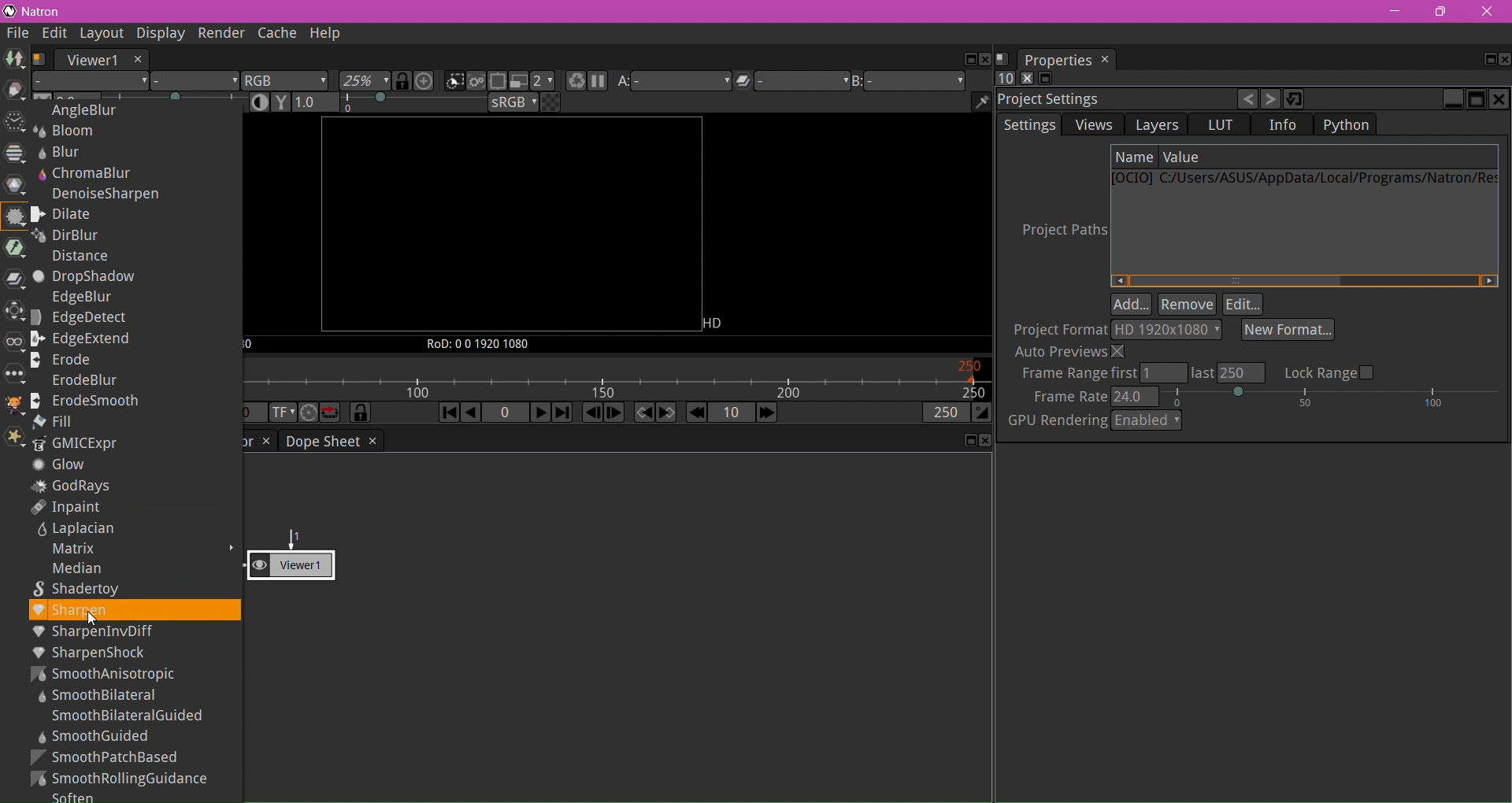 This screenshot has width=1512, height=803. What do you see at coordinates (1220, 124) in the screenshot?
I see `LUT` at bounding box center [1220, 124].